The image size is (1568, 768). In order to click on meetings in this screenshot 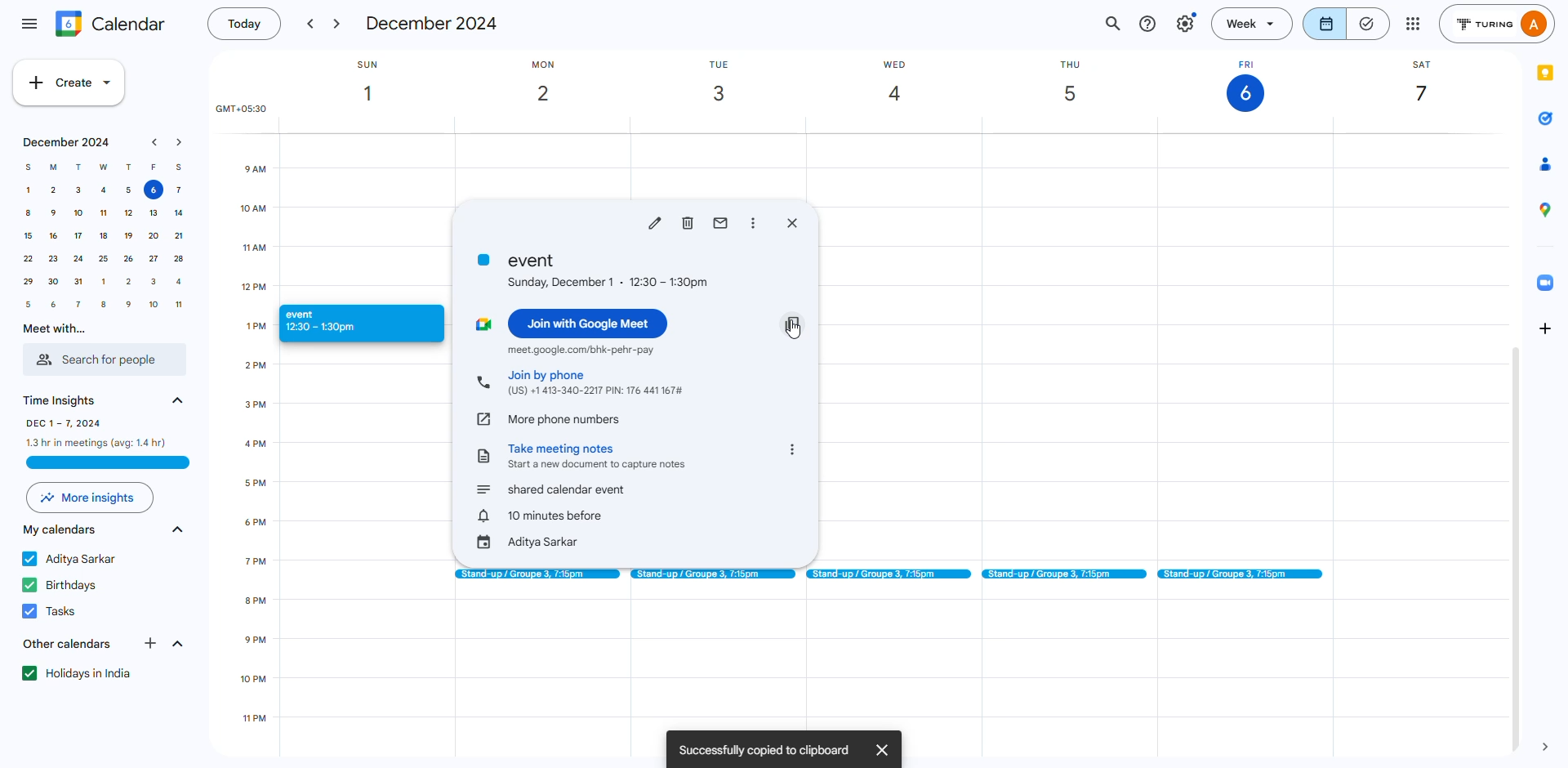, I will do `click(534, 574)`.